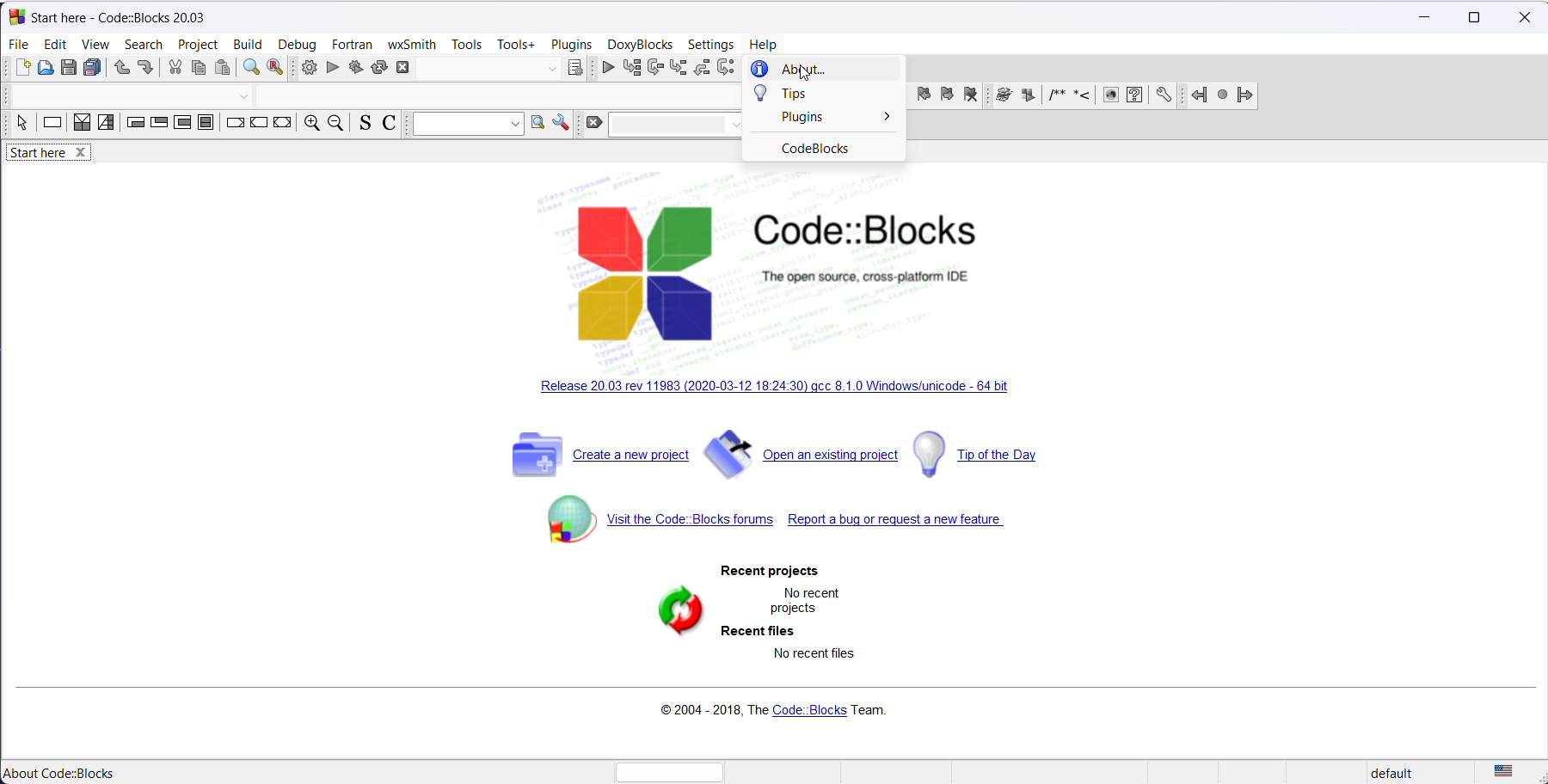 The height and width of the screenshot is (784, 1548). What do you see at coordinates (673, 613) in the screenshot?
I see `refresh` at bounding box center [673, 613].